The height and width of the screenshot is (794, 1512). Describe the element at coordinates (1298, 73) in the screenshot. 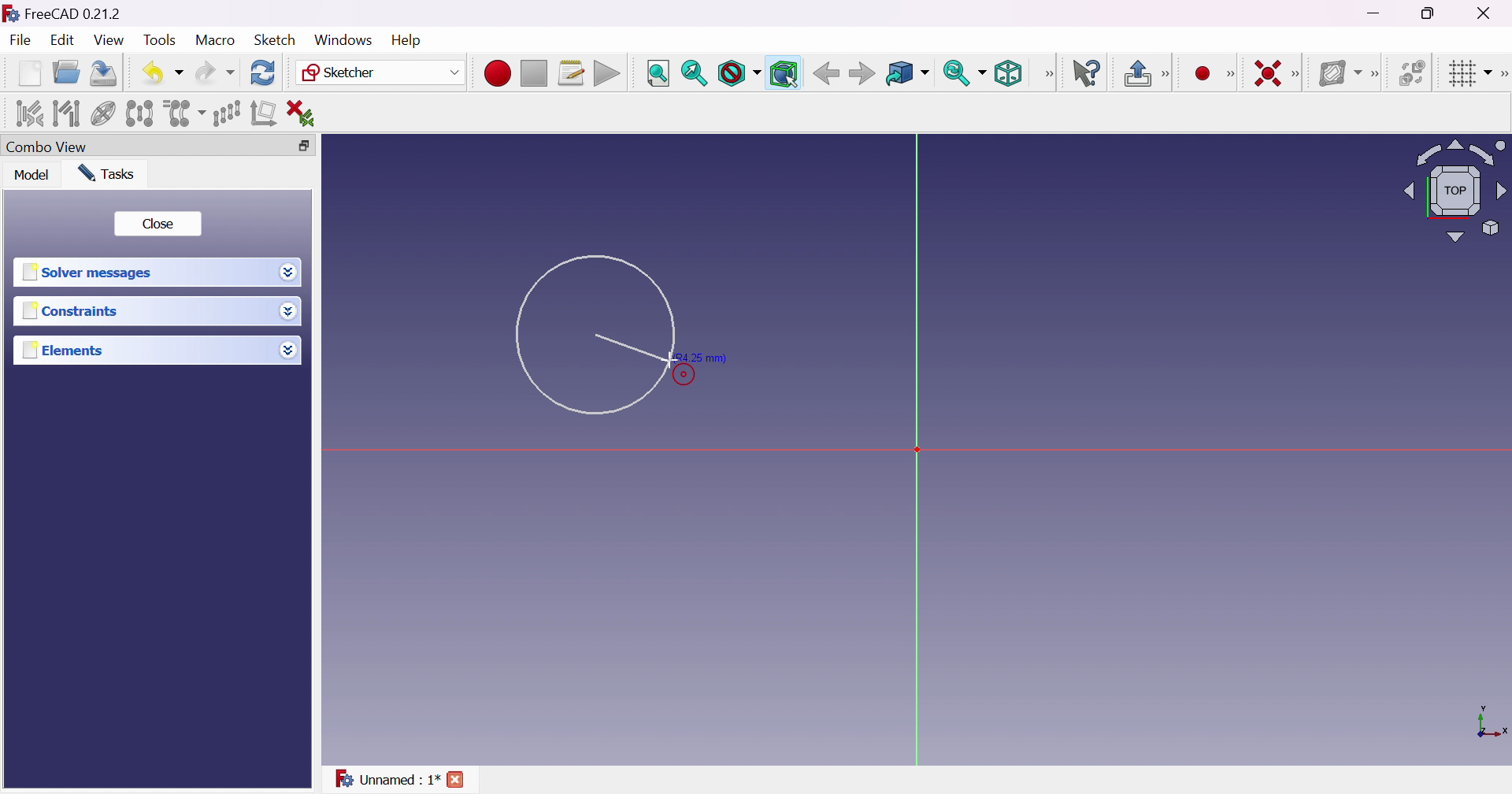

I see `[Sketcher constraints]` at that location.